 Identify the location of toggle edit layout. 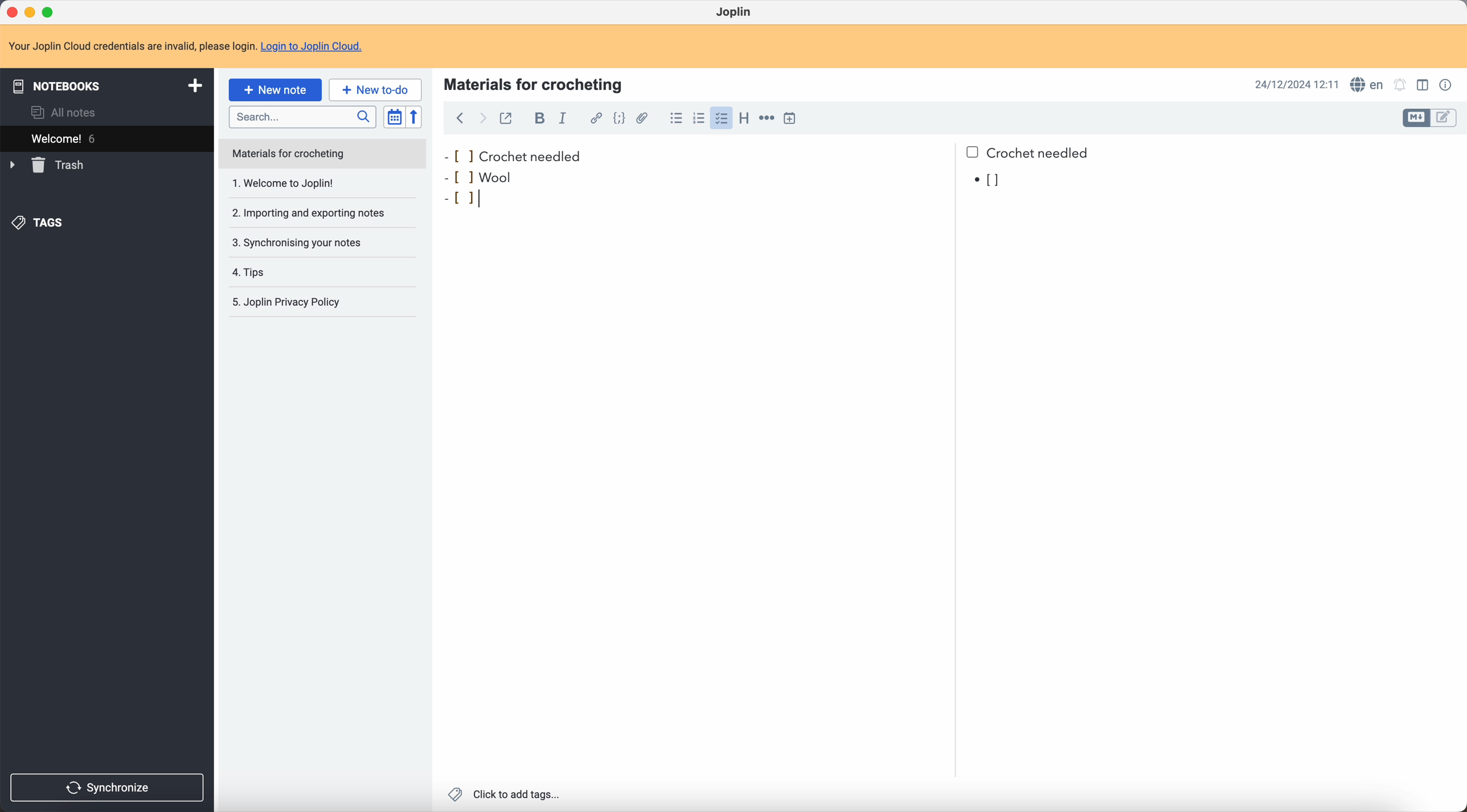
(1416, 118).